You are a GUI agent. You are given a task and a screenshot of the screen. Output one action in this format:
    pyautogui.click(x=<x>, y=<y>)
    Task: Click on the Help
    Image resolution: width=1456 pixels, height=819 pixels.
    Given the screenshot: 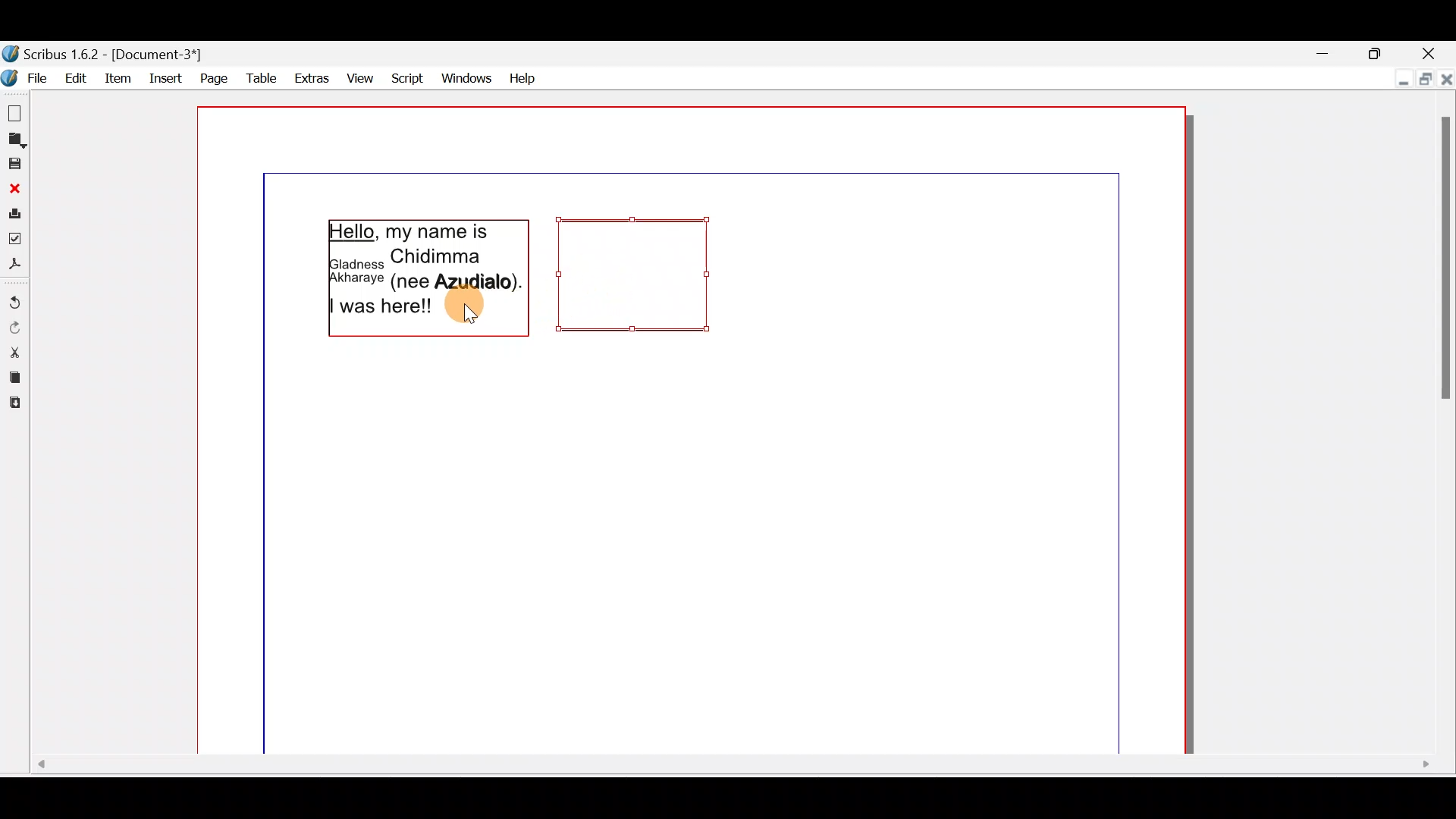 What is the action you would take?
    pyautogui.click(x=524, y=77)
    